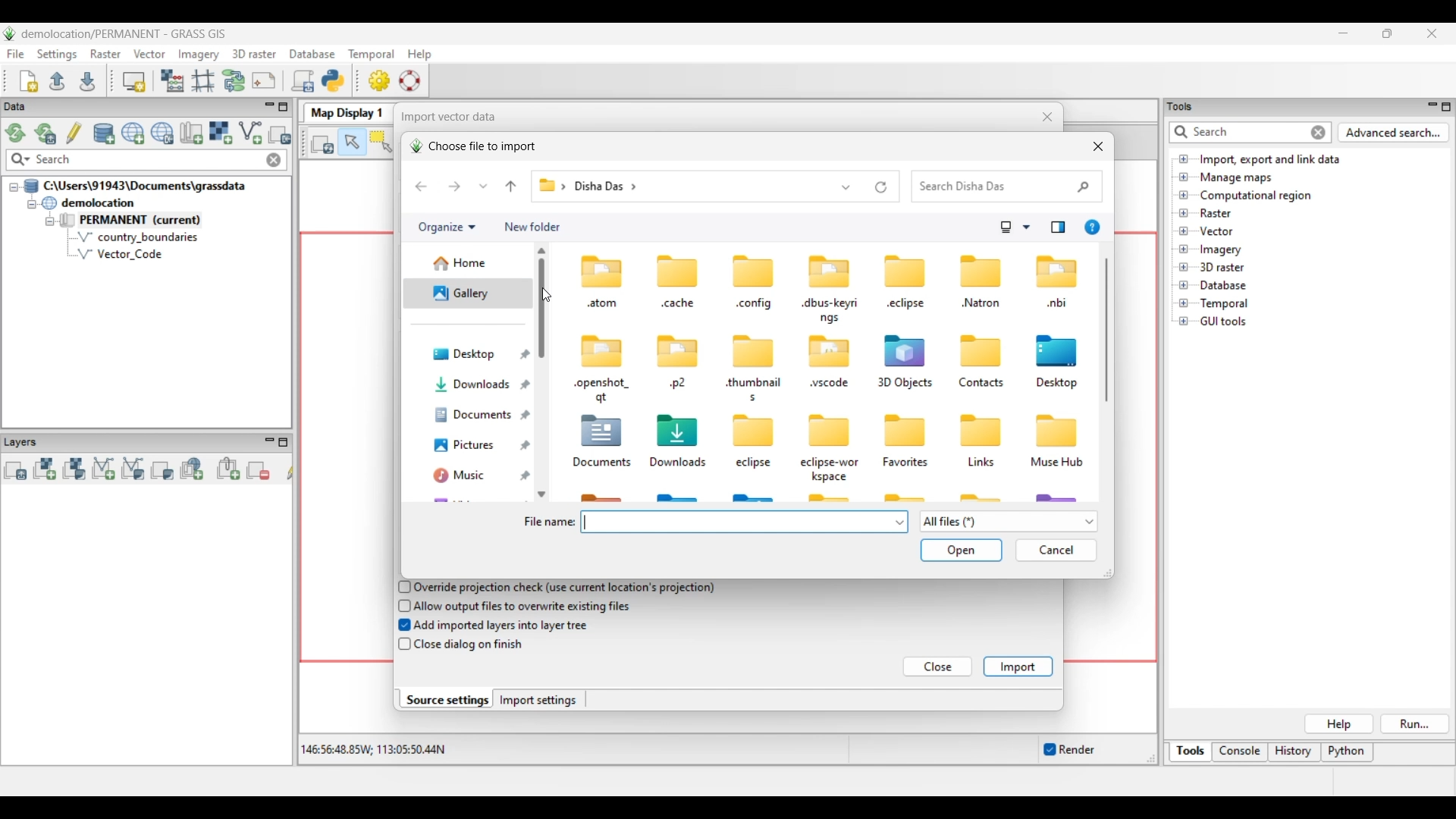  I want to click on Natron, so click(981, 303).